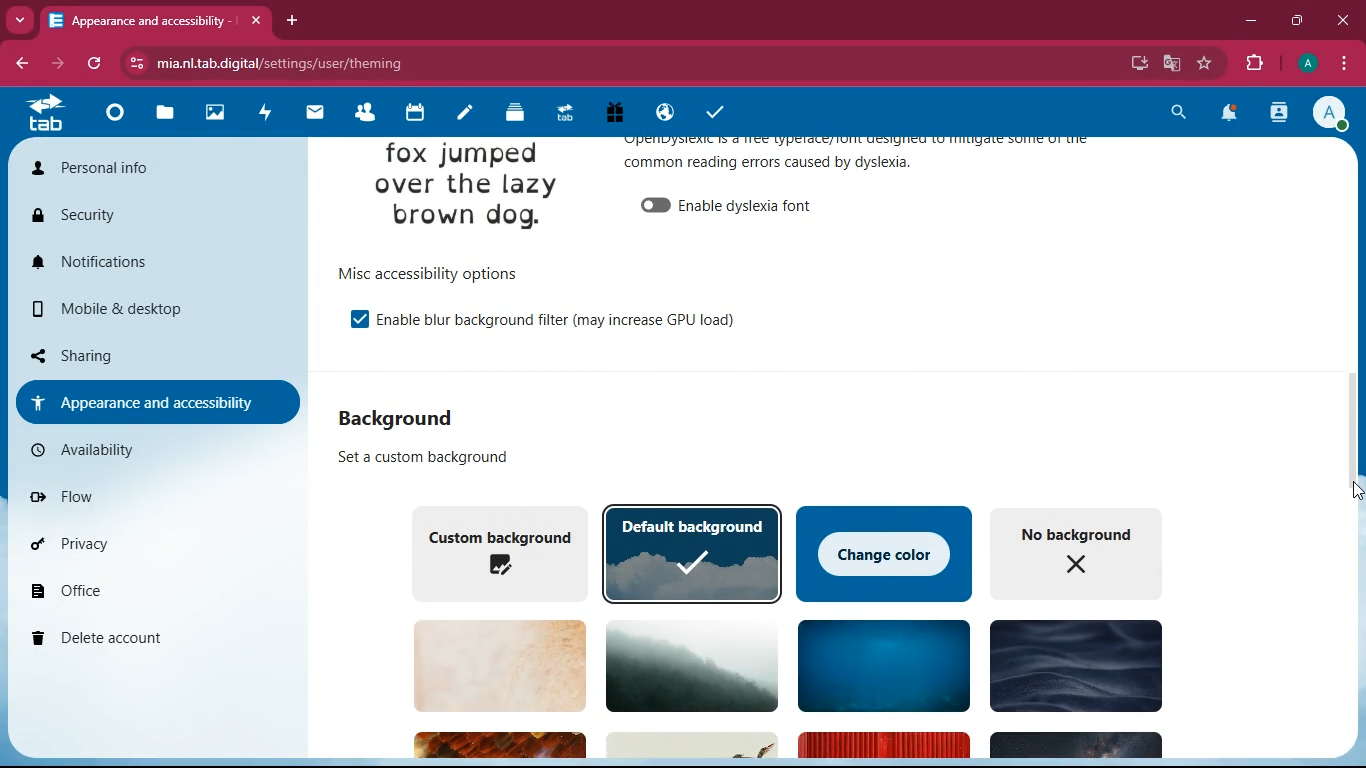  I want to click on personal info, so click(130, 166).